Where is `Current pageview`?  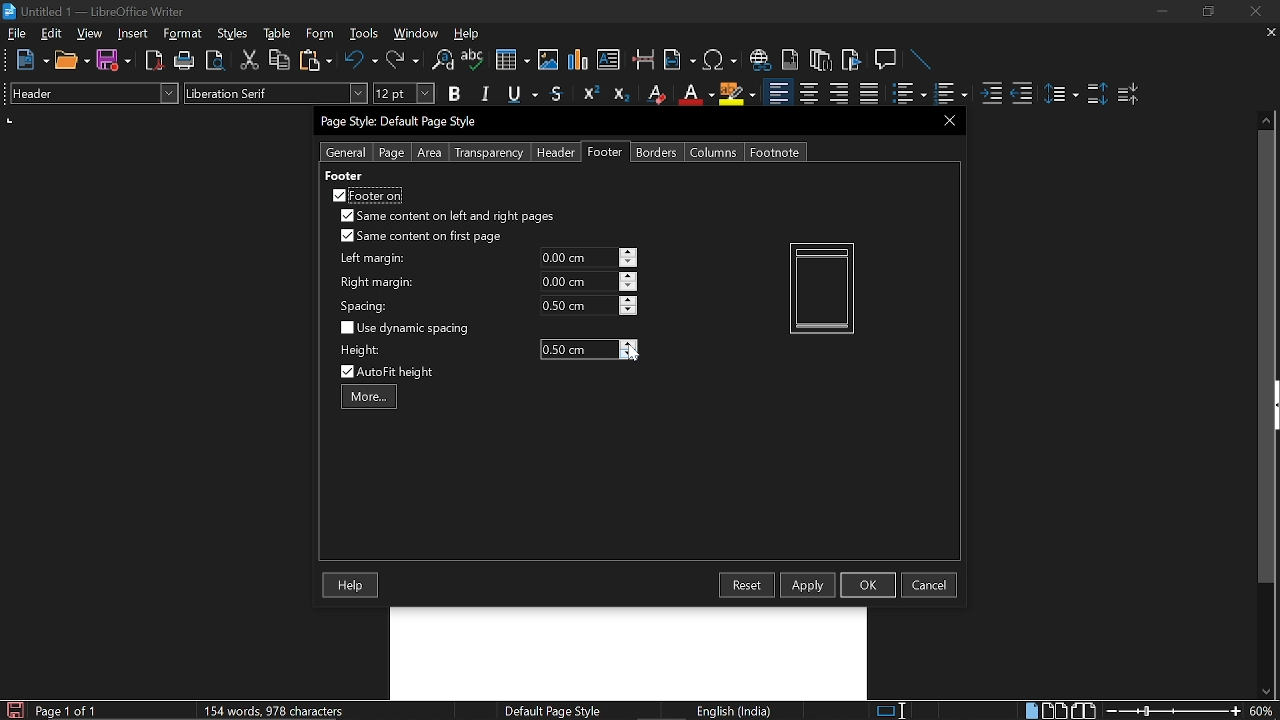 Current pageview is located at coordinates (822, 288).